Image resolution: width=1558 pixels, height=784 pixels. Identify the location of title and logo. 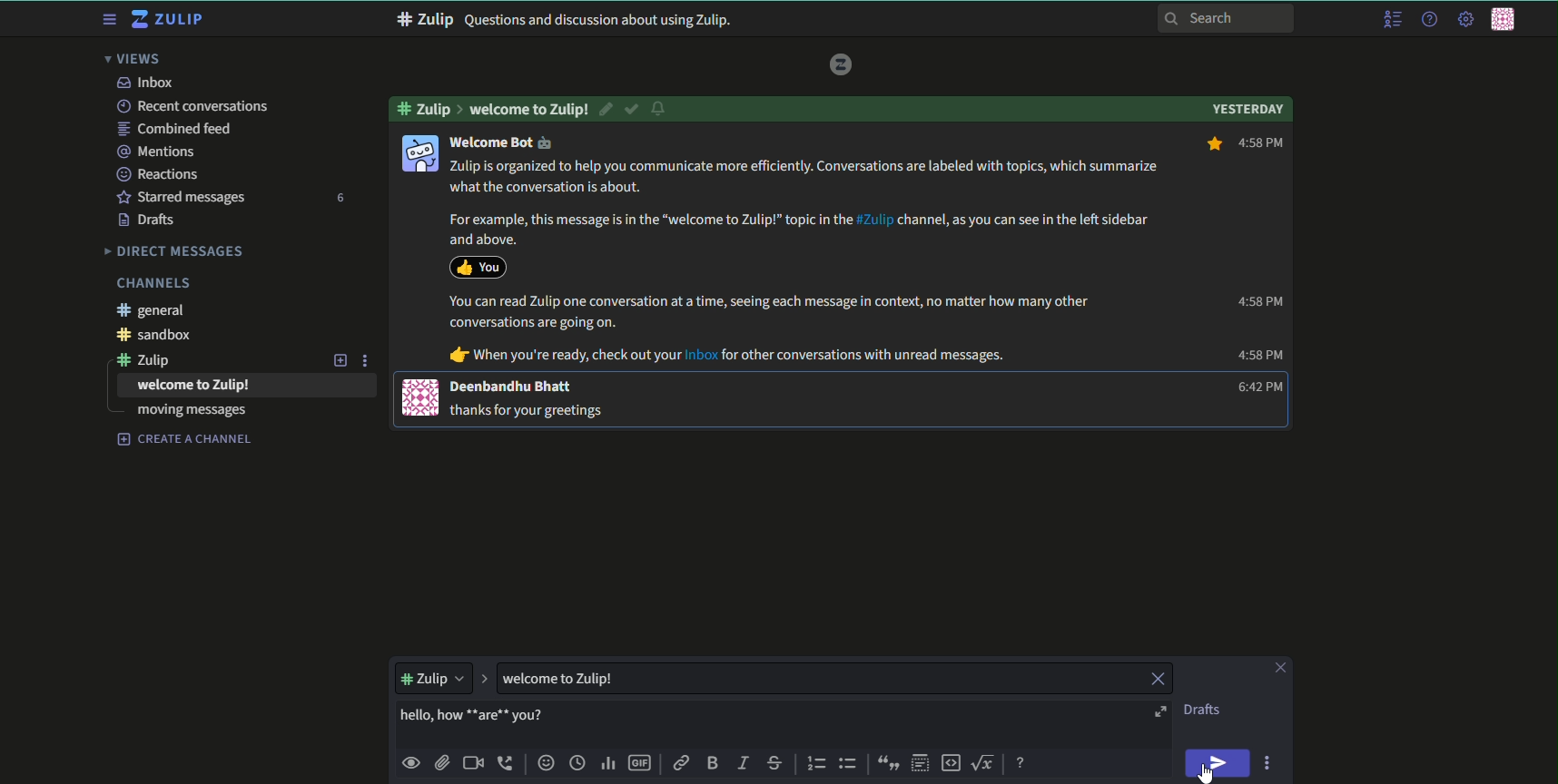
(170, 20).